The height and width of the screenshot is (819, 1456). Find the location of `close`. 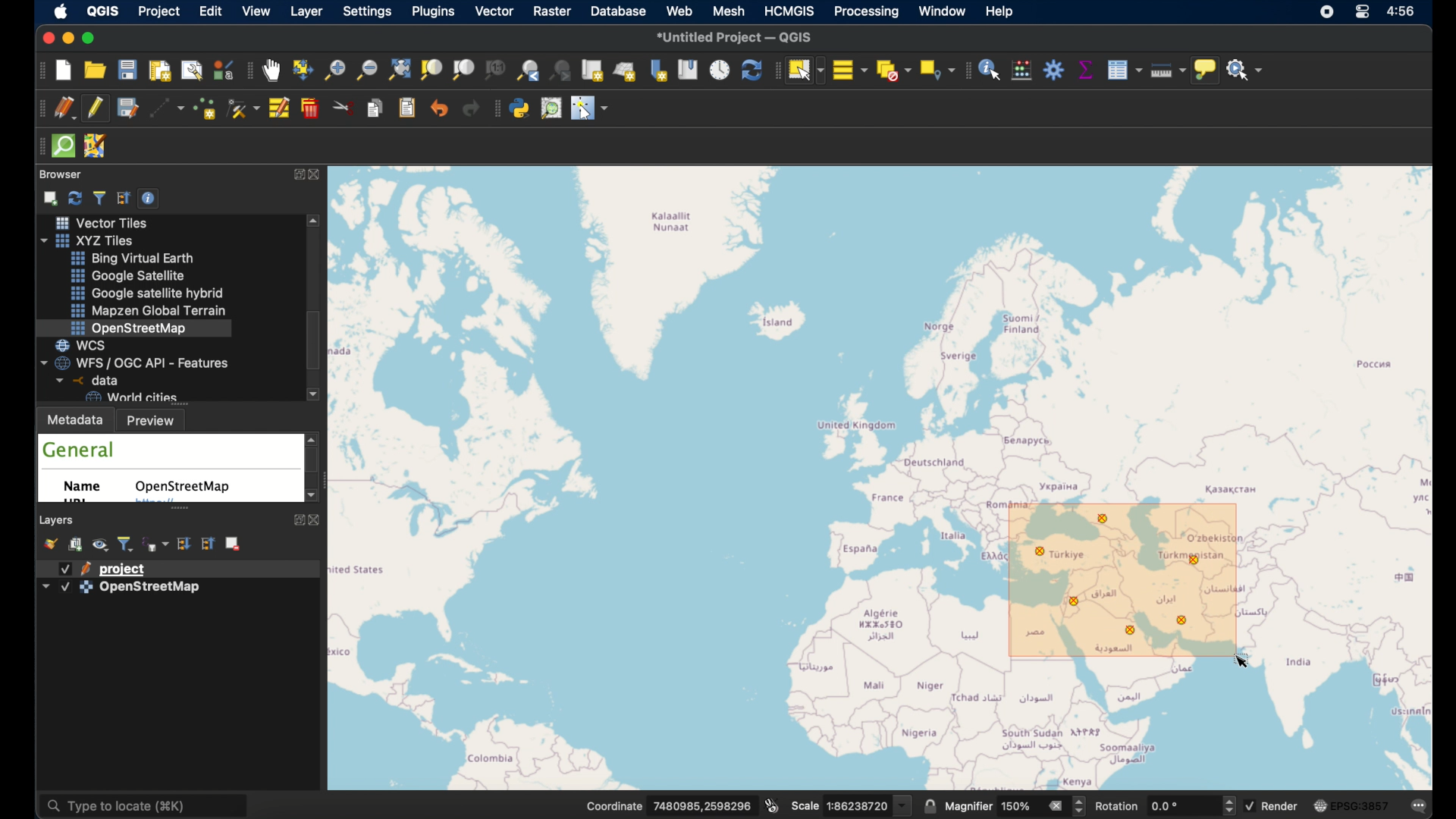

close is located at coordinates (45, 37).